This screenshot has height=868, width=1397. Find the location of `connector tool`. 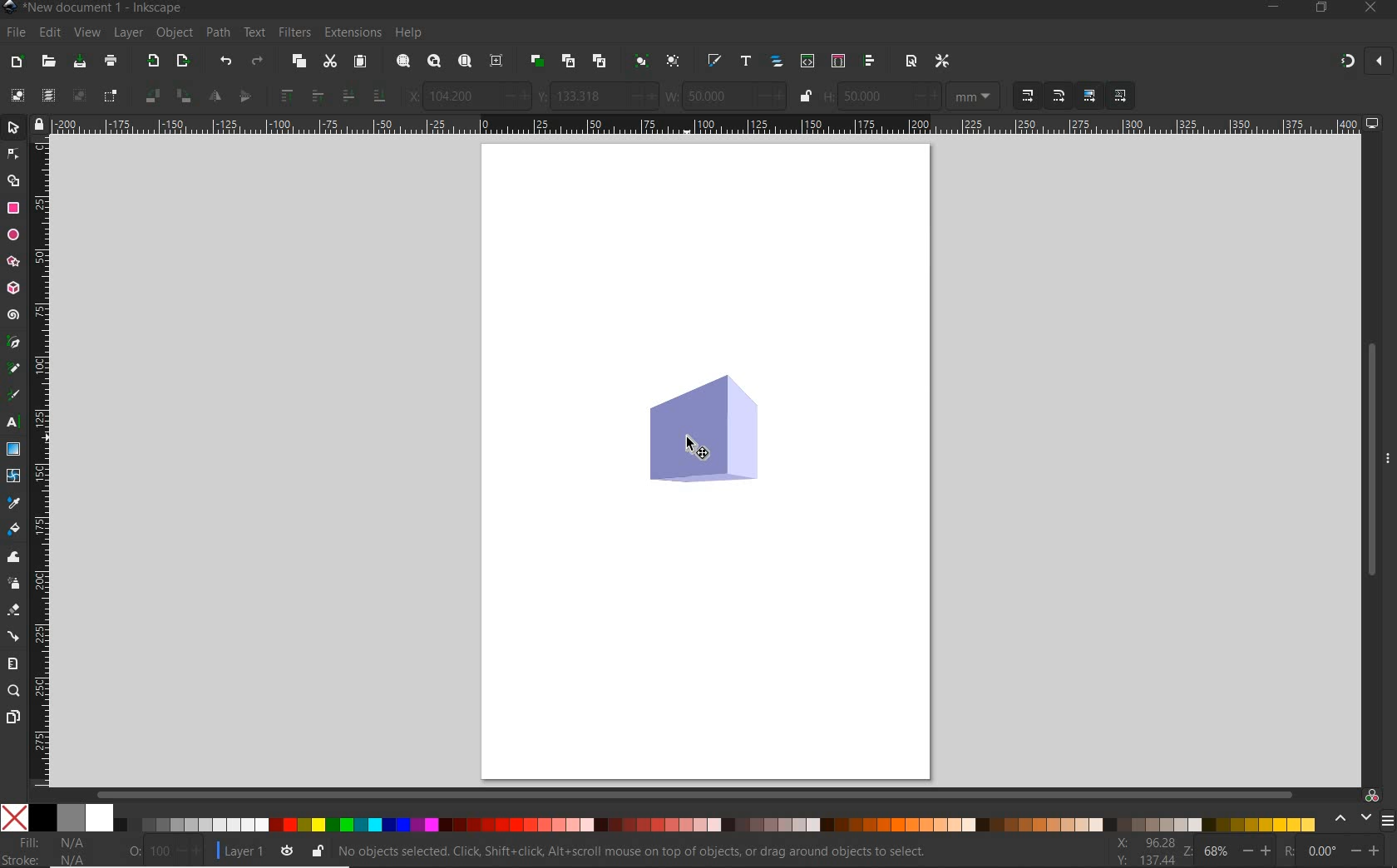

connector tool is located at coordinates (15, 637).